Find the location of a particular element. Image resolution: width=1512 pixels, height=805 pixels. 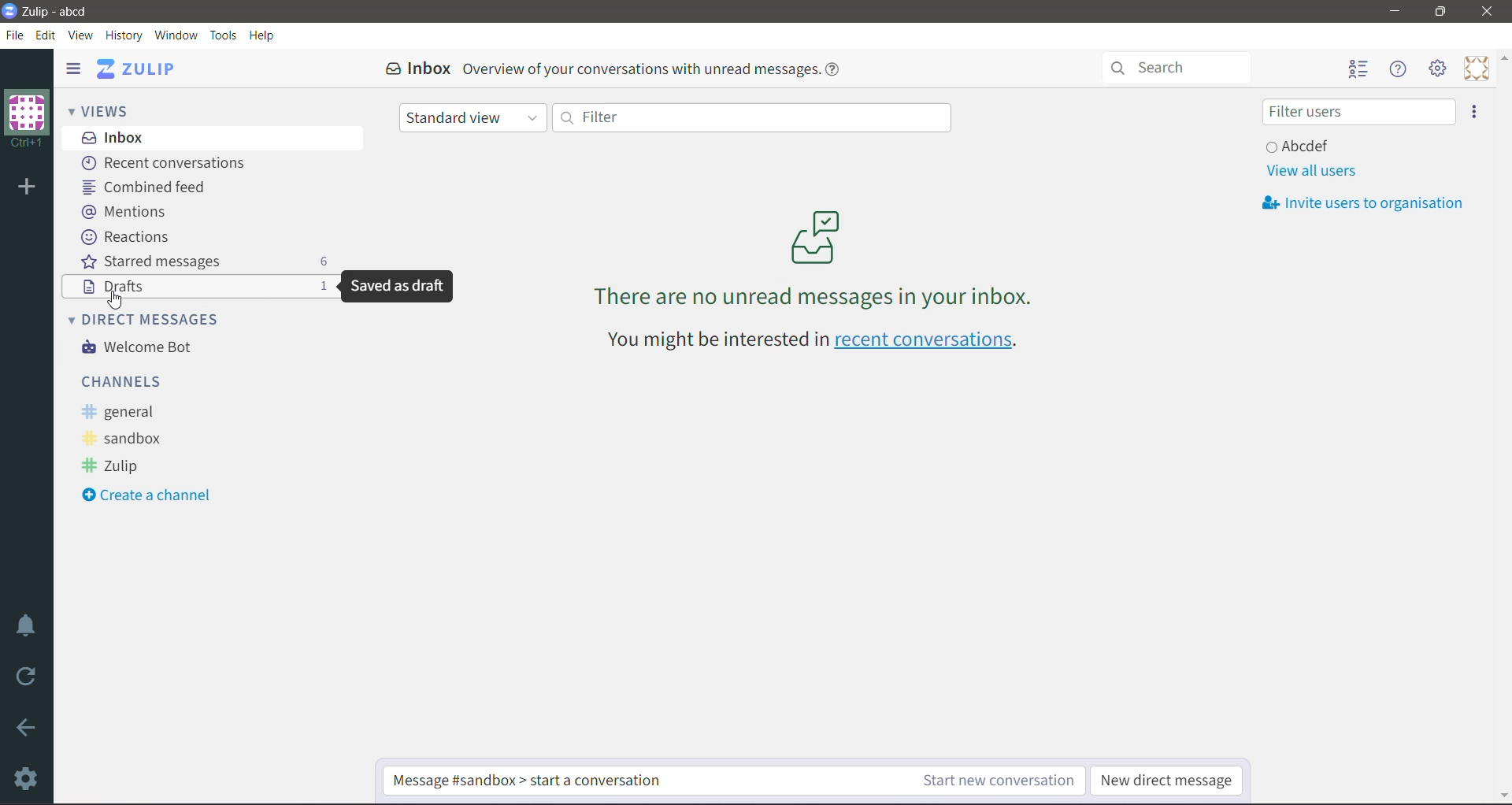

Zulip is located at coordinates (115, 467).